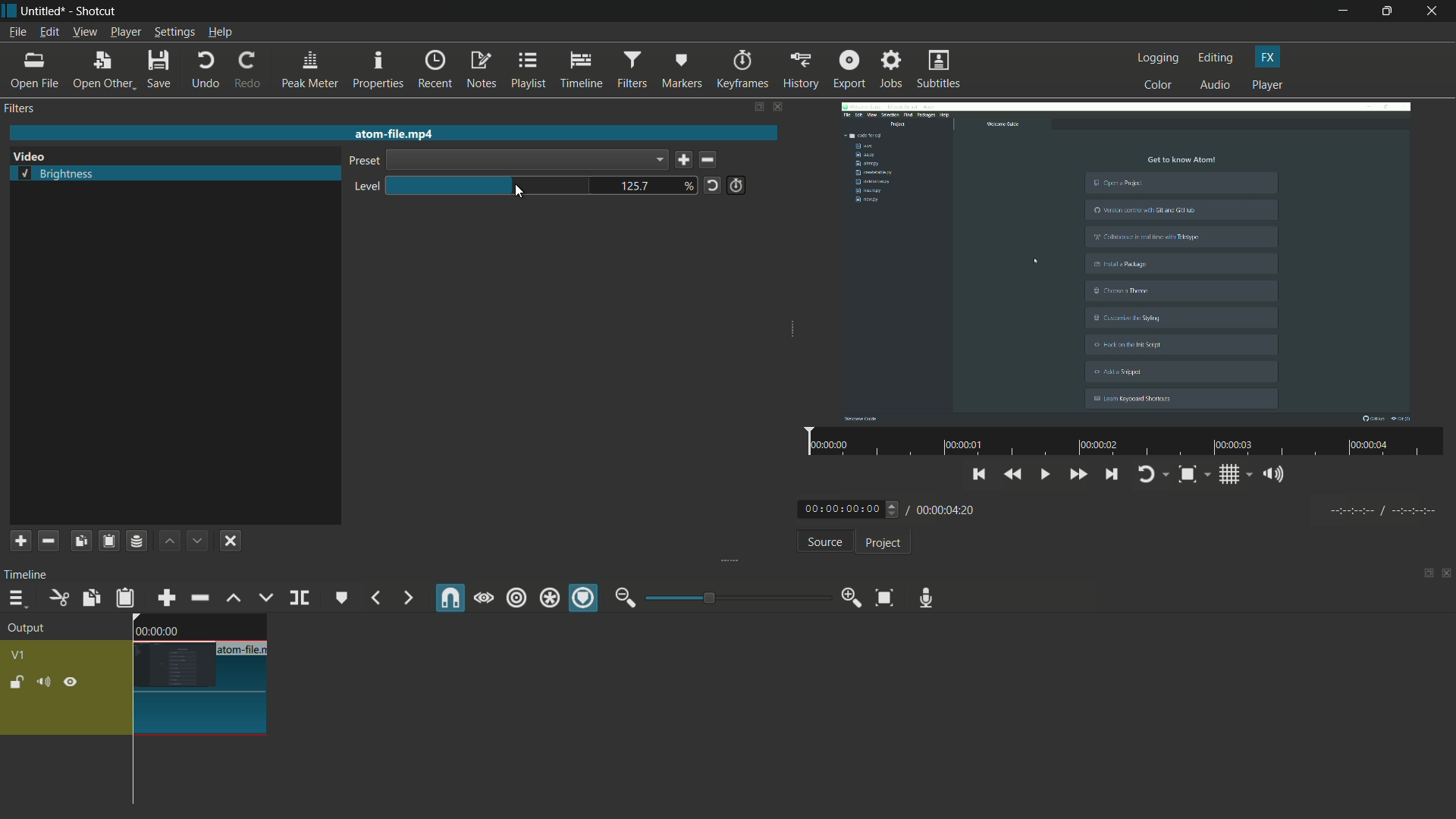  What do you see at coordinates (89, 598) in the screenshot?
I see `copy` at bounding box center [89, 598].